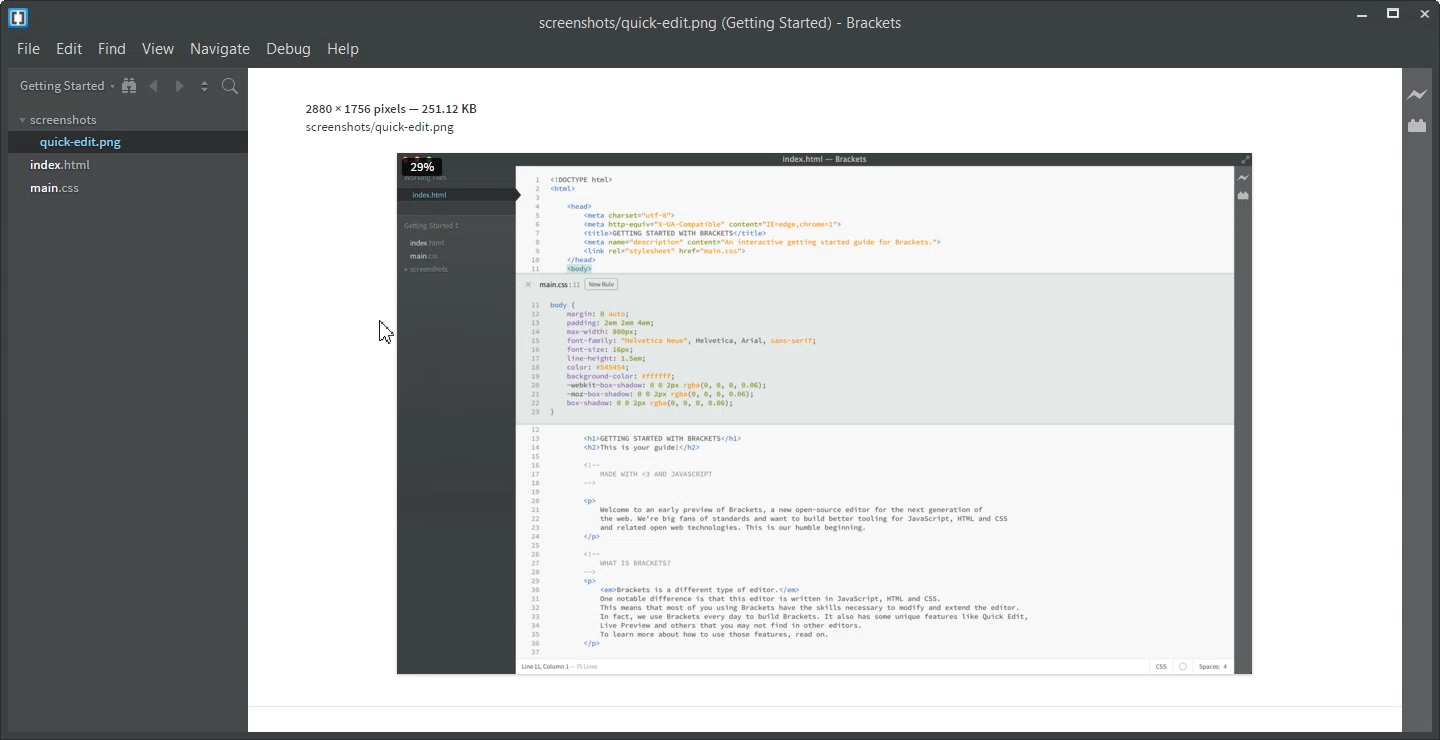 This screenshot has width=1440, height=740. Describe the element at coordinates (231, 87) in the screenshot. I see `Find in Files` at that location.